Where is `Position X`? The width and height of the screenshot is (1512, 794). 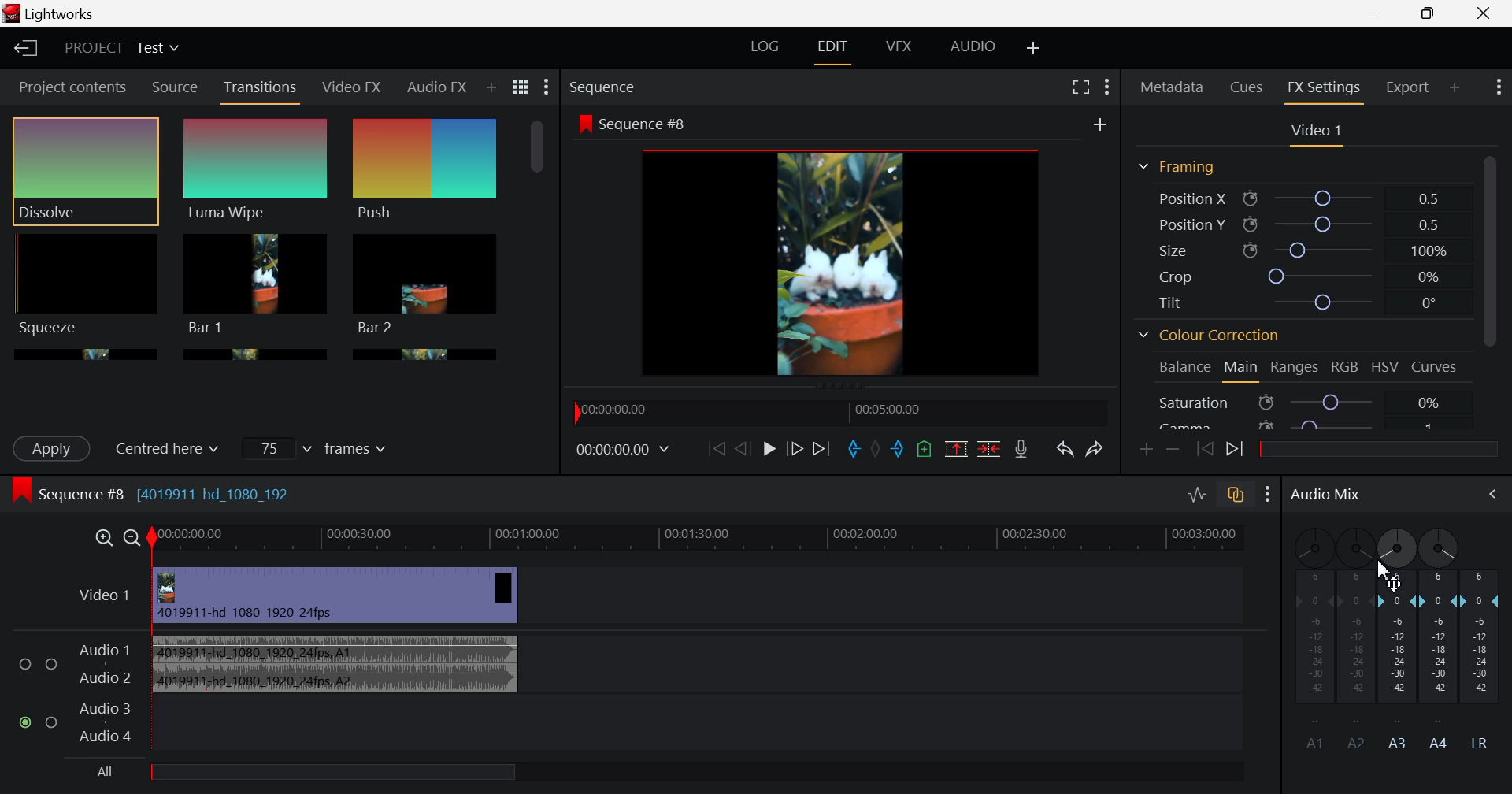 Position X is located at coordinates (1301, 198).